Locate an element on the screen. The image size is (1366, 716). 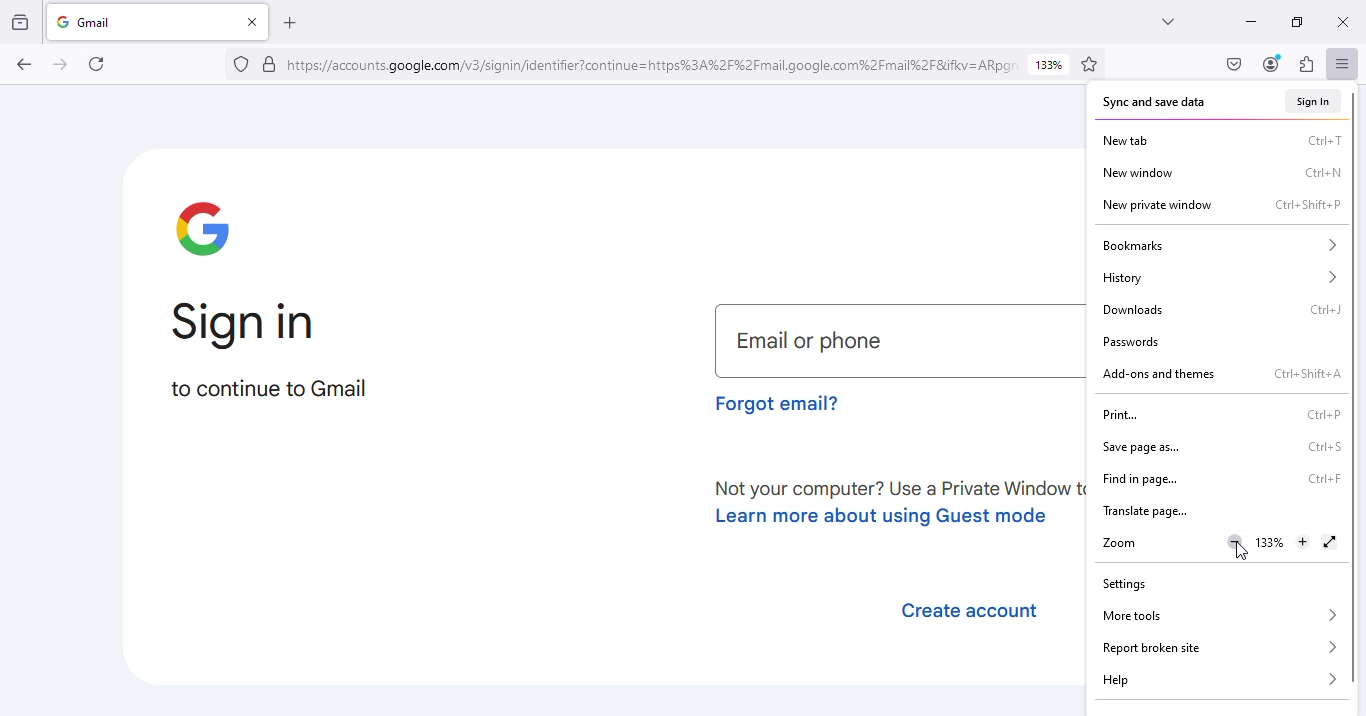
no trackers known to firefox were detected on this page is located at coordinates (242, 64).